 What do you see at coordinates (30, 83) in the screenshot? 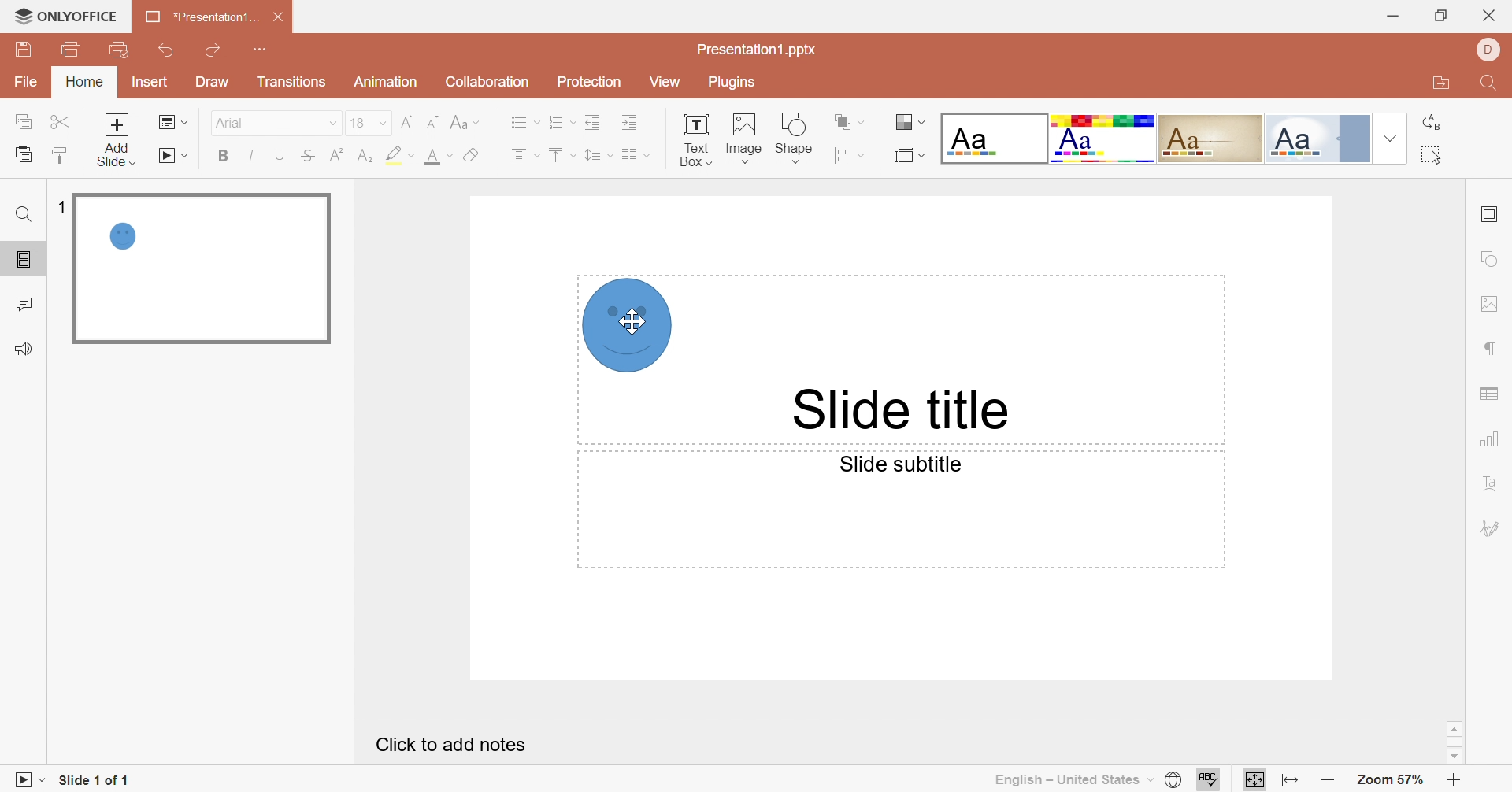
I see `File` at bounding box center [30, 83].